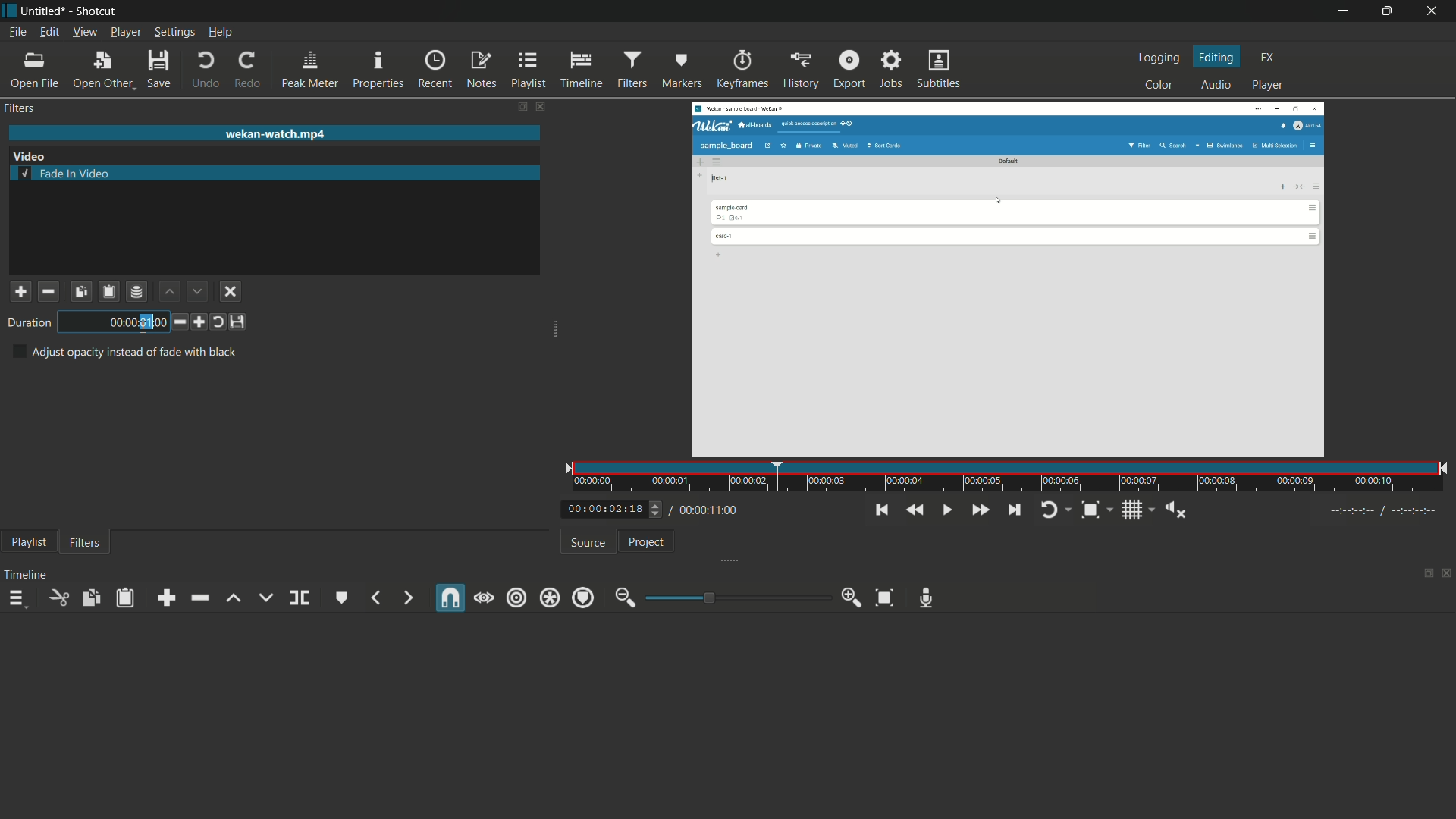 The image size is (1456, 819). Describe the element at coordinates (581, 71) in the screenshot. I see `timeline` at that location.